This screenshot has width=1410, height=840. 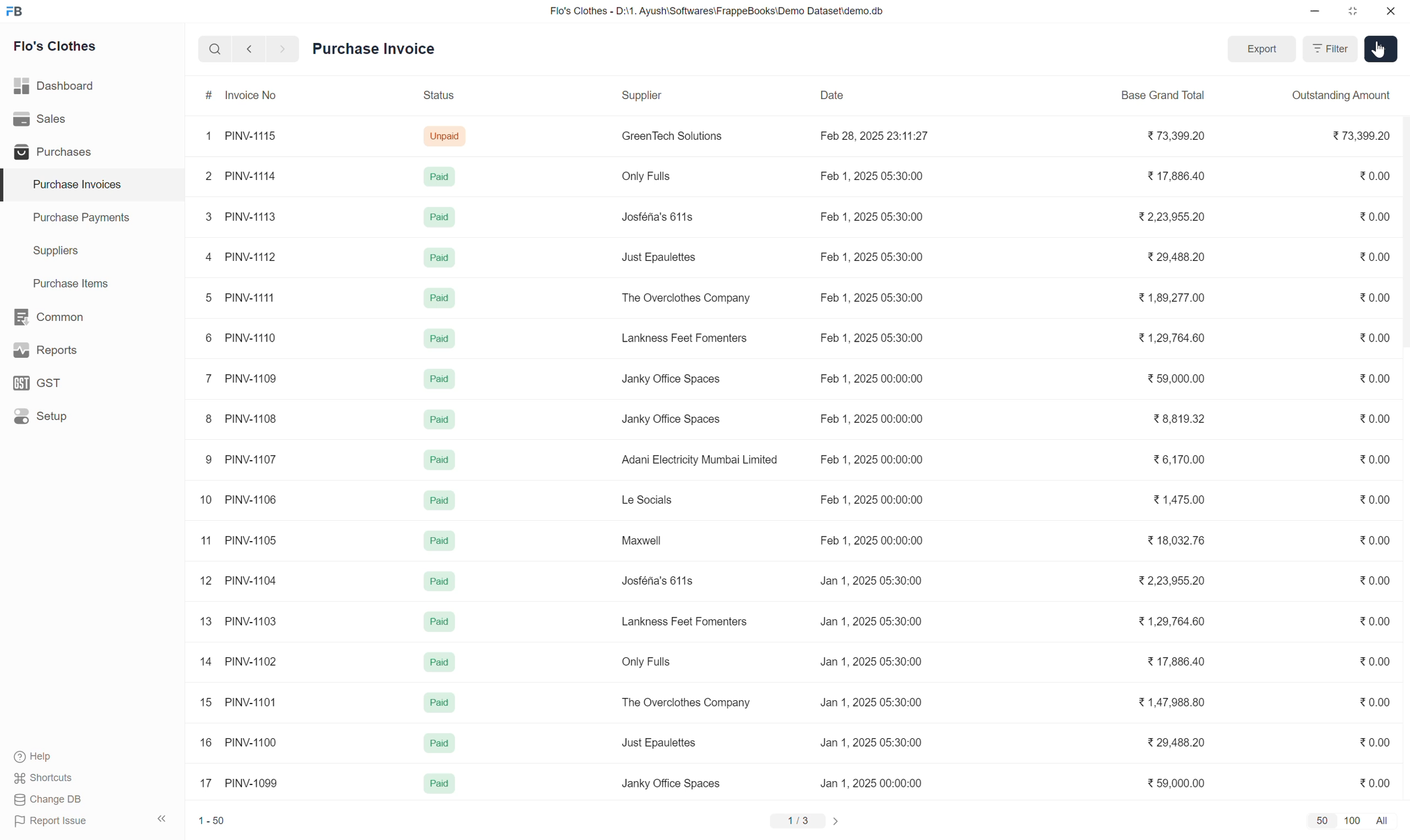 What do you see at coordinates (48, 800) in the screenshot?
I see `Change DB` at bounding box center [48, 800].